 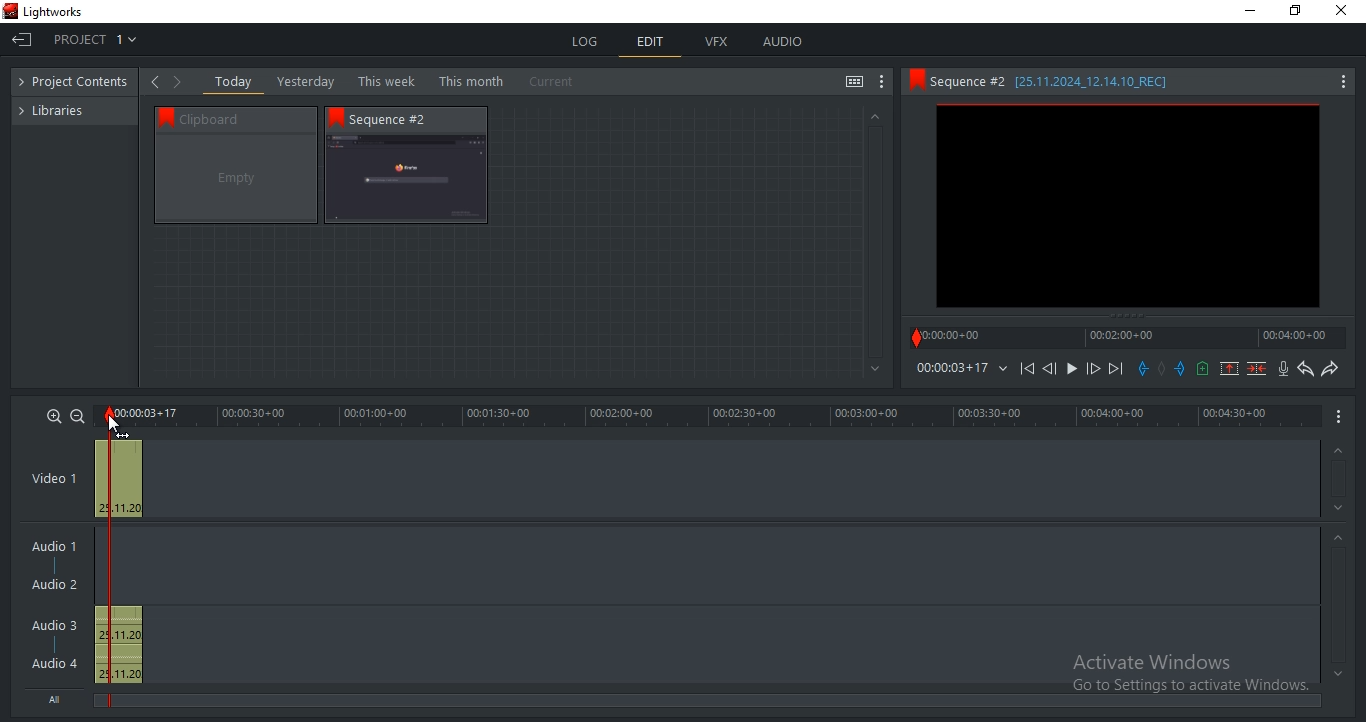 What do you see at coordinates (1329, 368) in the screenshot?
I see `redo` at bounding box center [1329, 368].